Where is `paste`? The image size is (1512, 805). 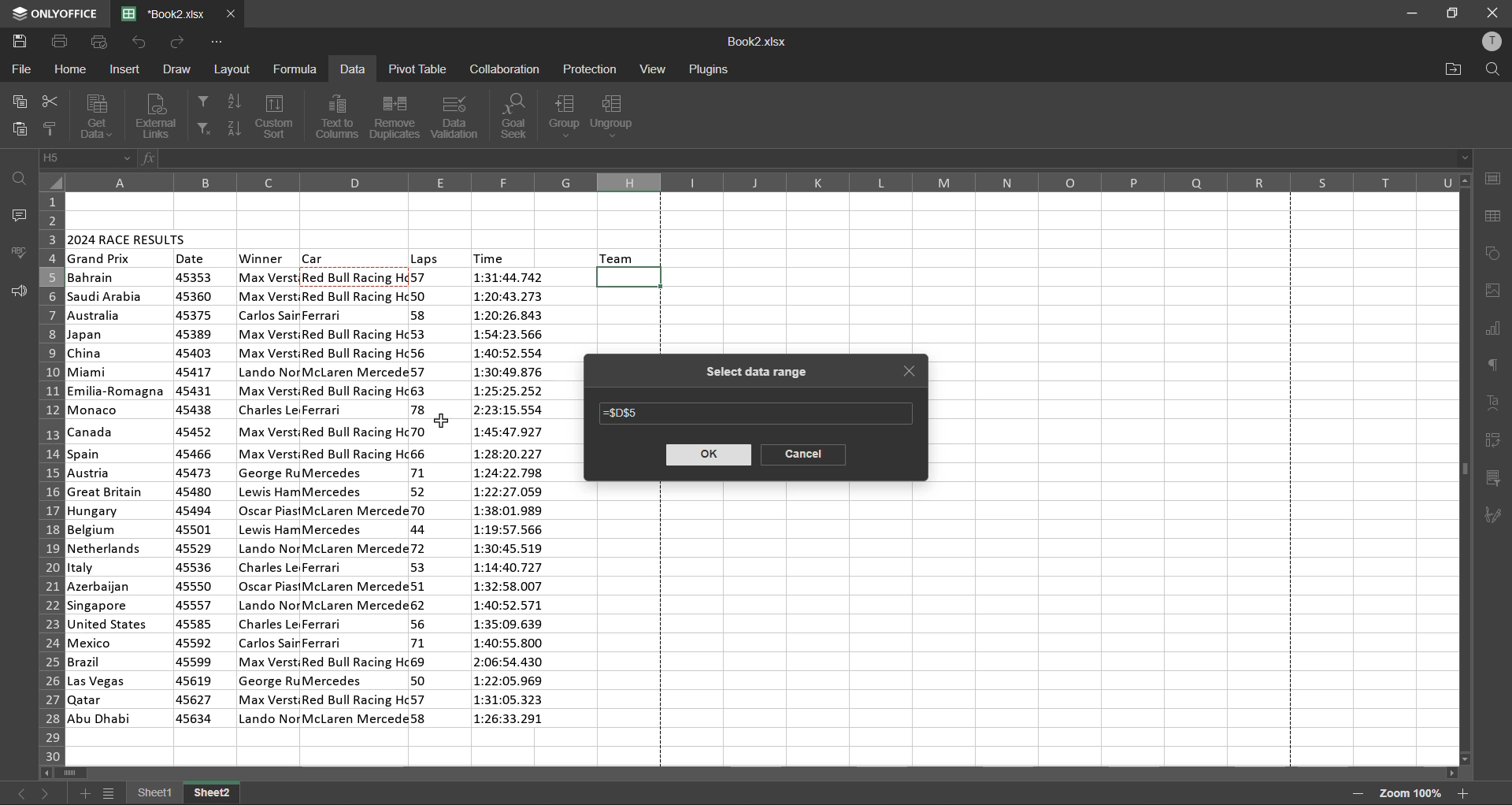 paste is located at coordinates (17, 131).